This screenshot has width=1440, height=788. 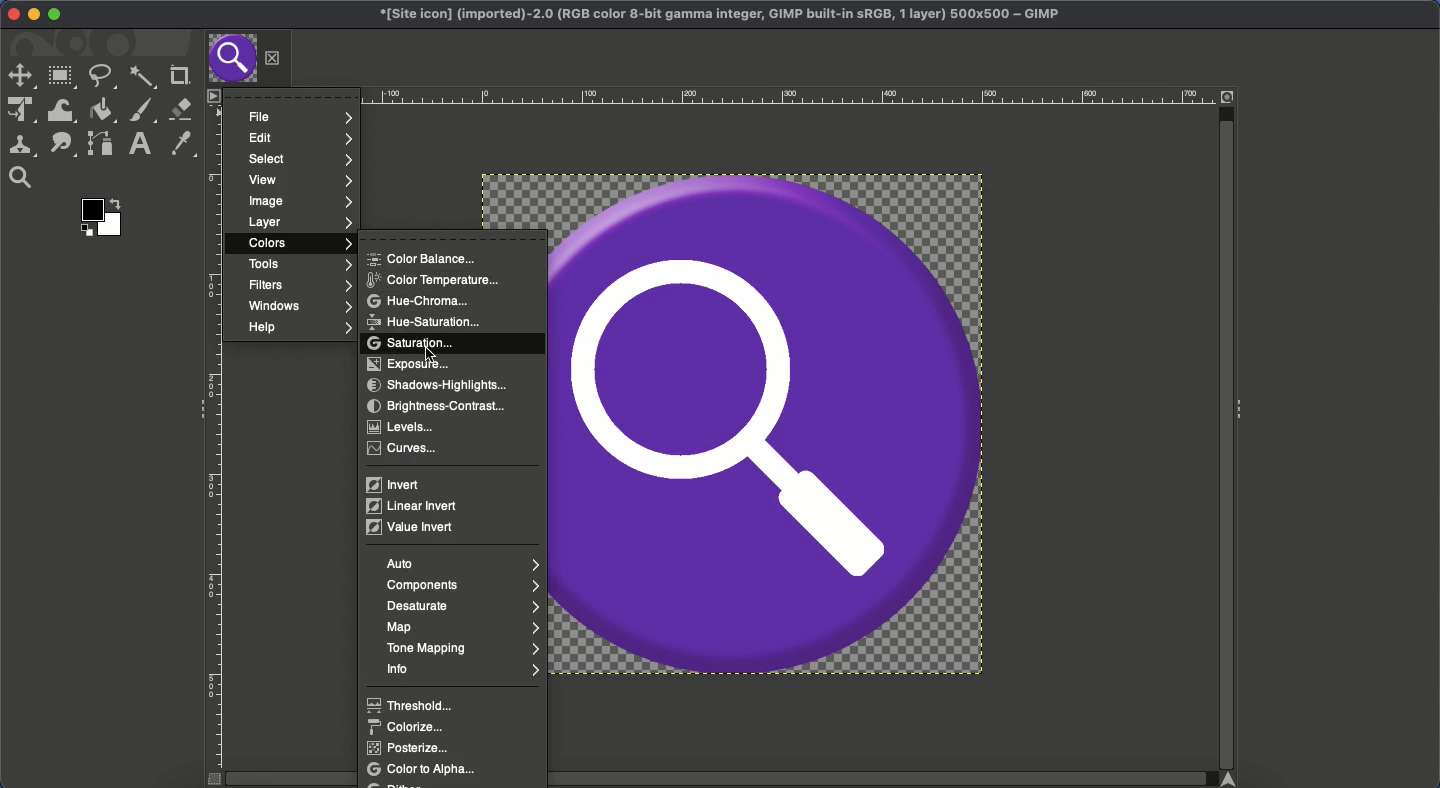 I want to click on File, so click(x=302, y=118).